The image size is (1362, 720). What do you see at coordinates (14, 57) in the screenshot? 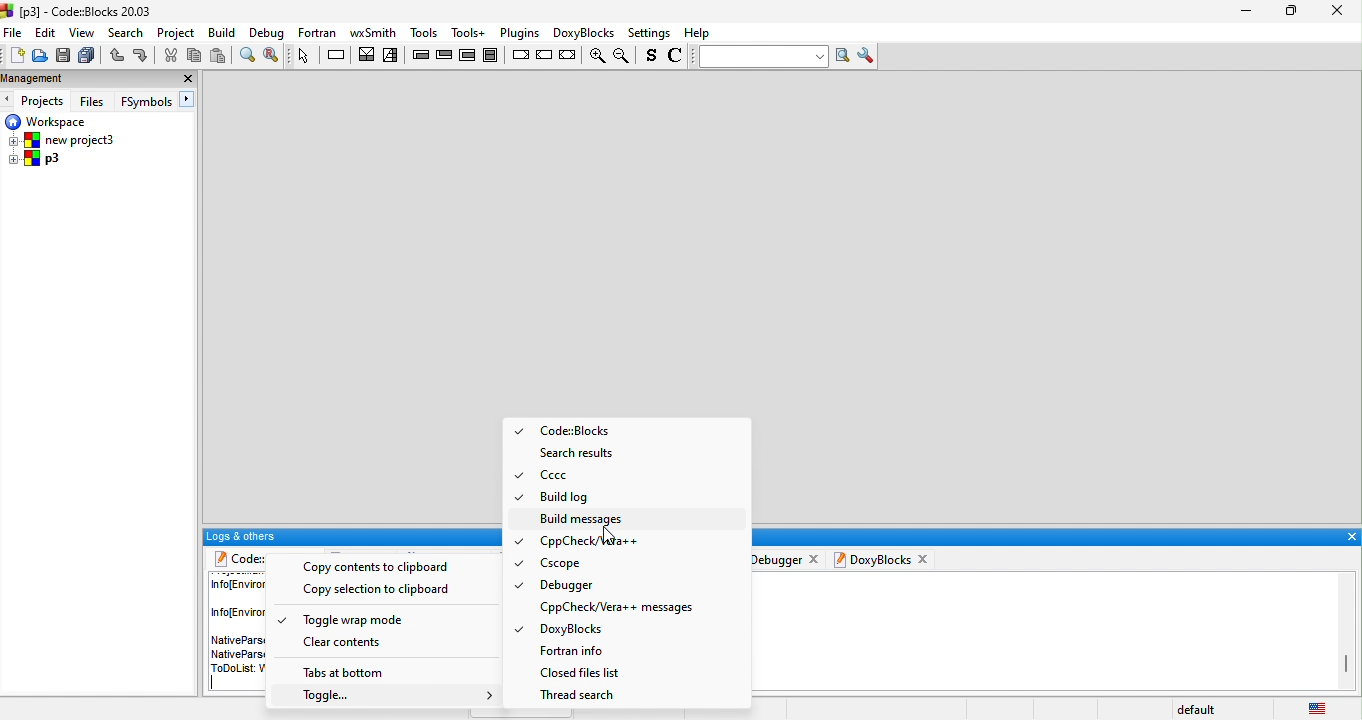
I see `new` at bounding box center [14, 57].